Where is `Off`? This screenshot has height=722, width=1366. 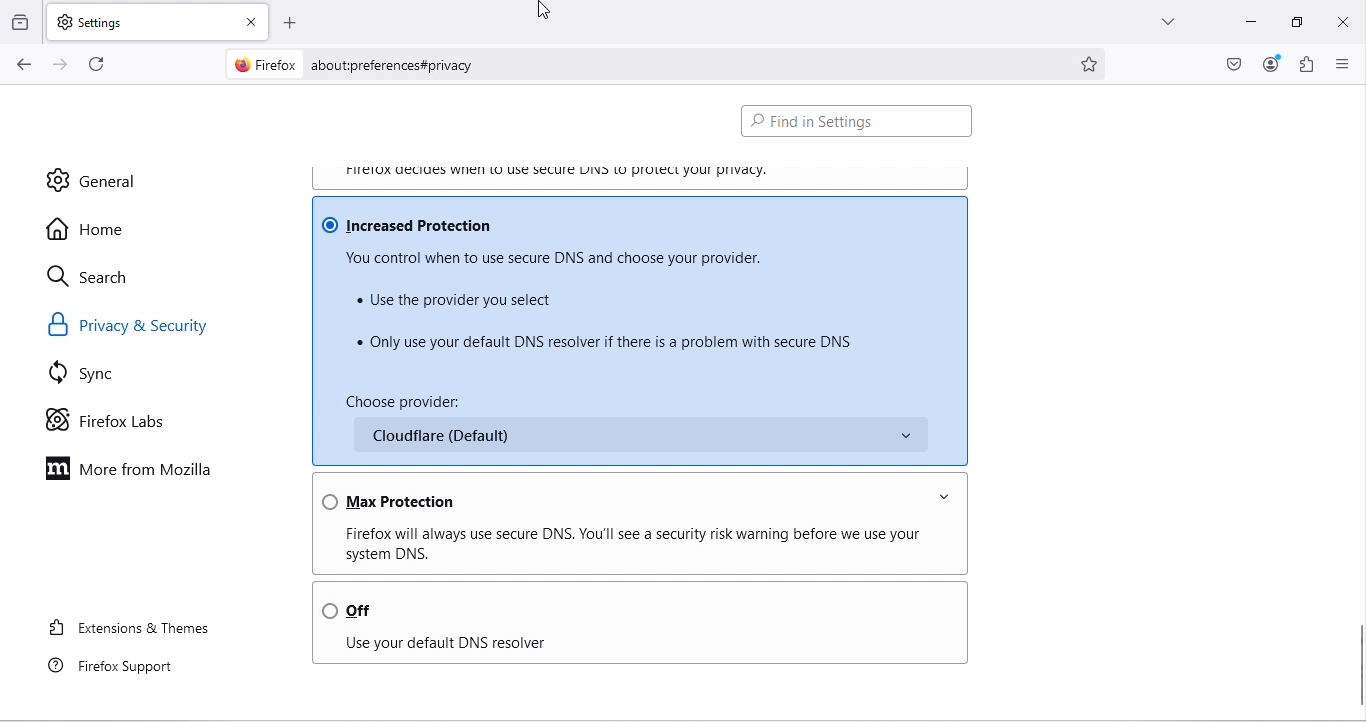
Off is located at coordinates (625, 605).